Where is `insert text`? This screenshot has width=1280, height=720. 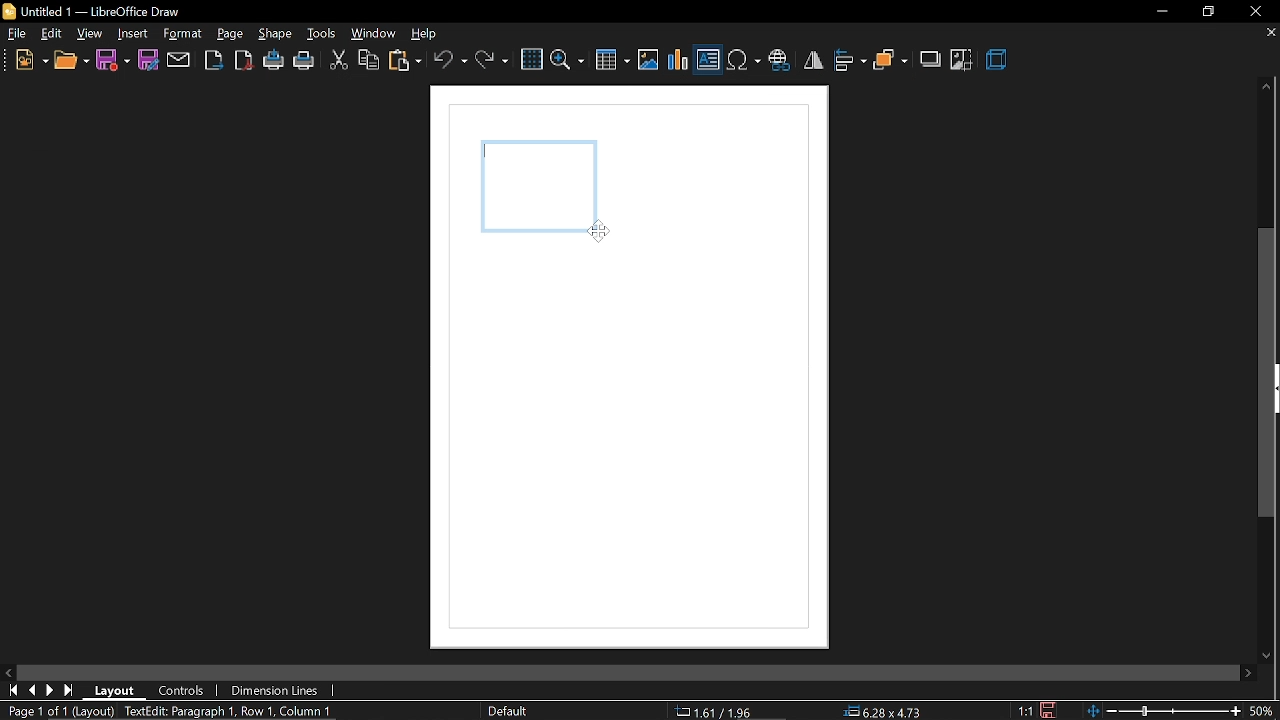 insert text is located at coordinates (708, 62).